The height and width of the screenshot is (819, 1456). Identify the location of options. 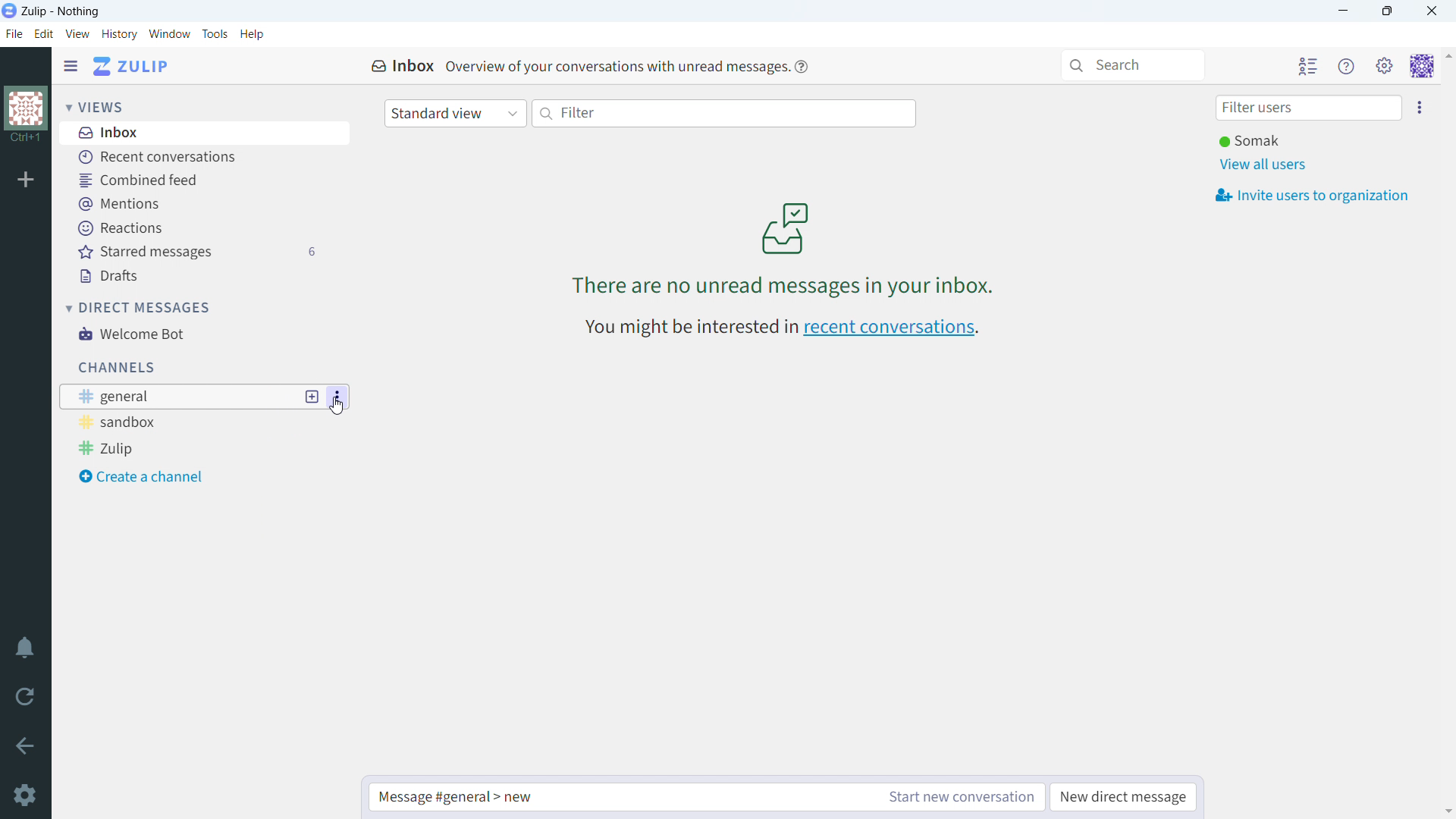
(338, 397).